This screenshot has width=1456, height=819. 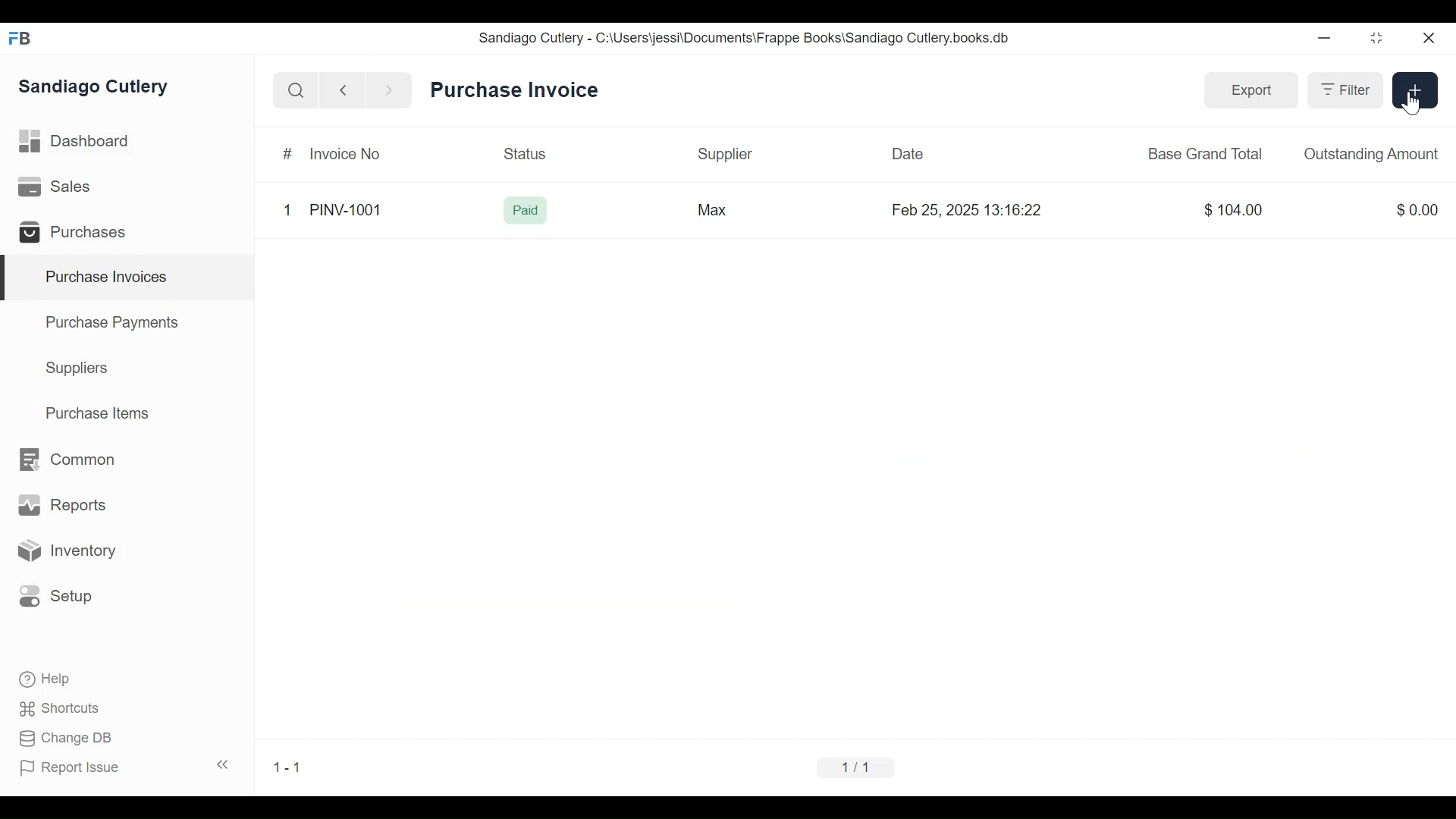 I want to click on Naviagate back, so click(x=344, y=89).